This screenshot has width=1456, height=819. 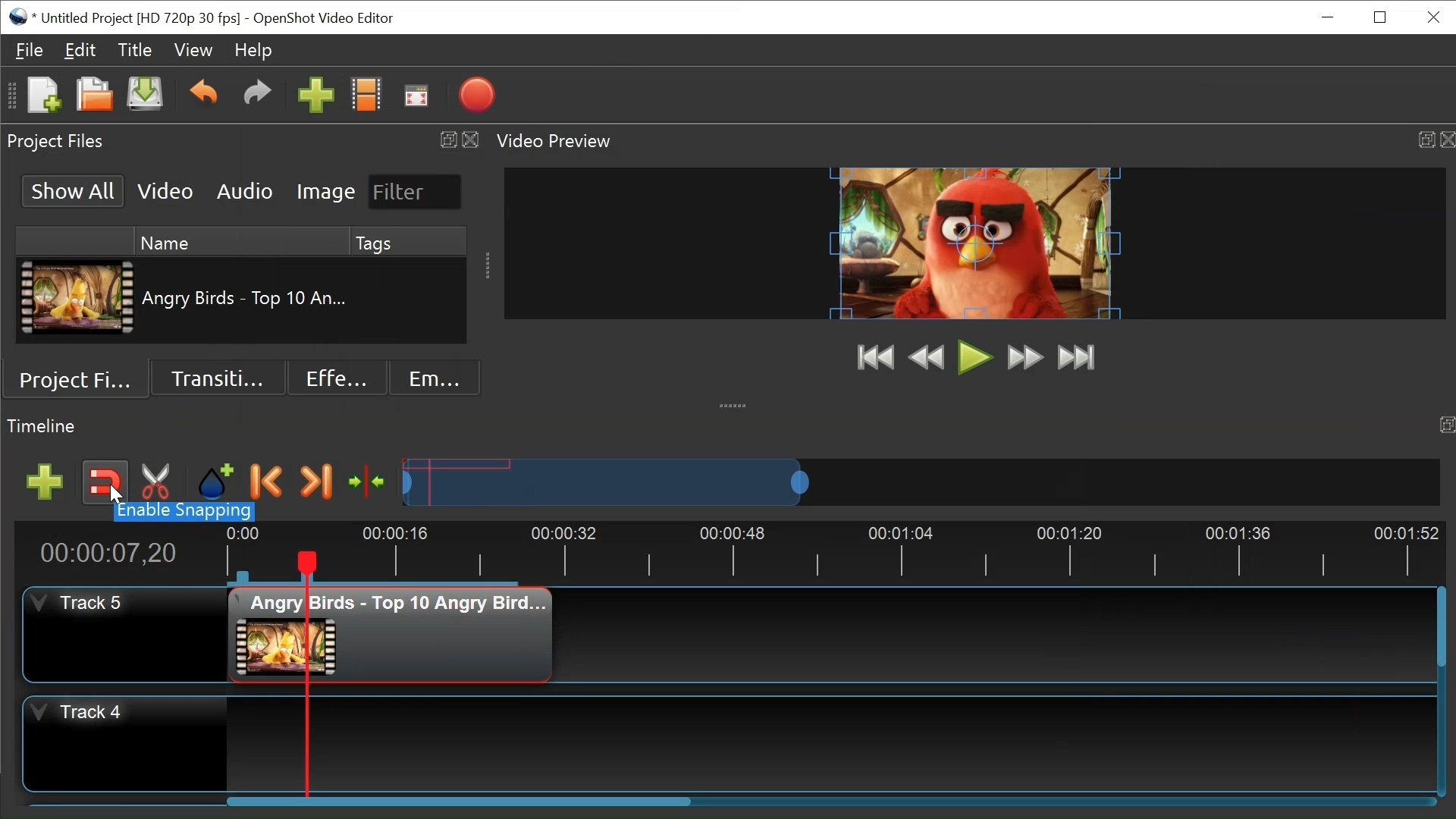 I want to click on Video, so click(x=165, y=191).